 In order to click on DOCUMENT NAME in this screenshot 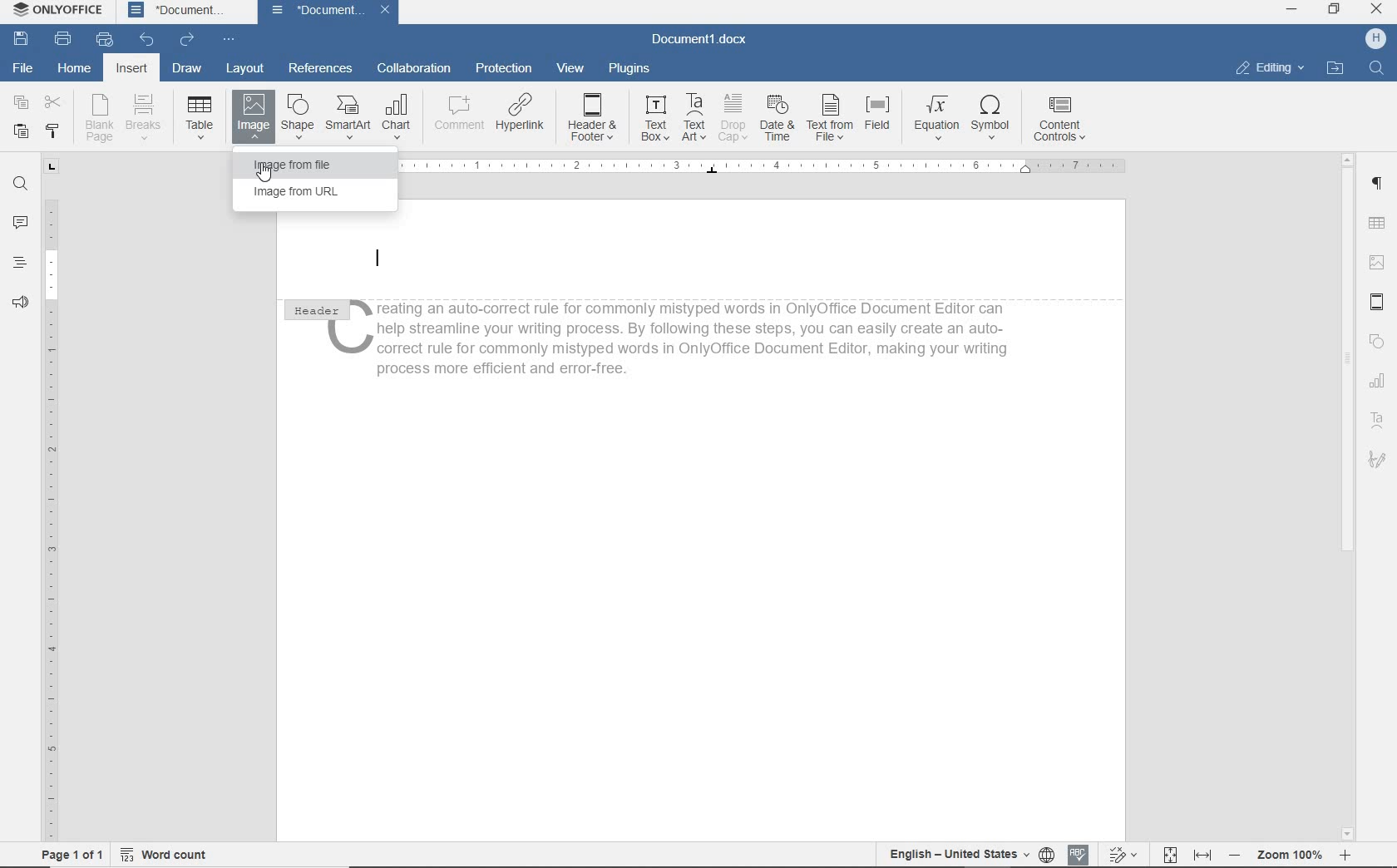, I will do `click(176, 11)`.